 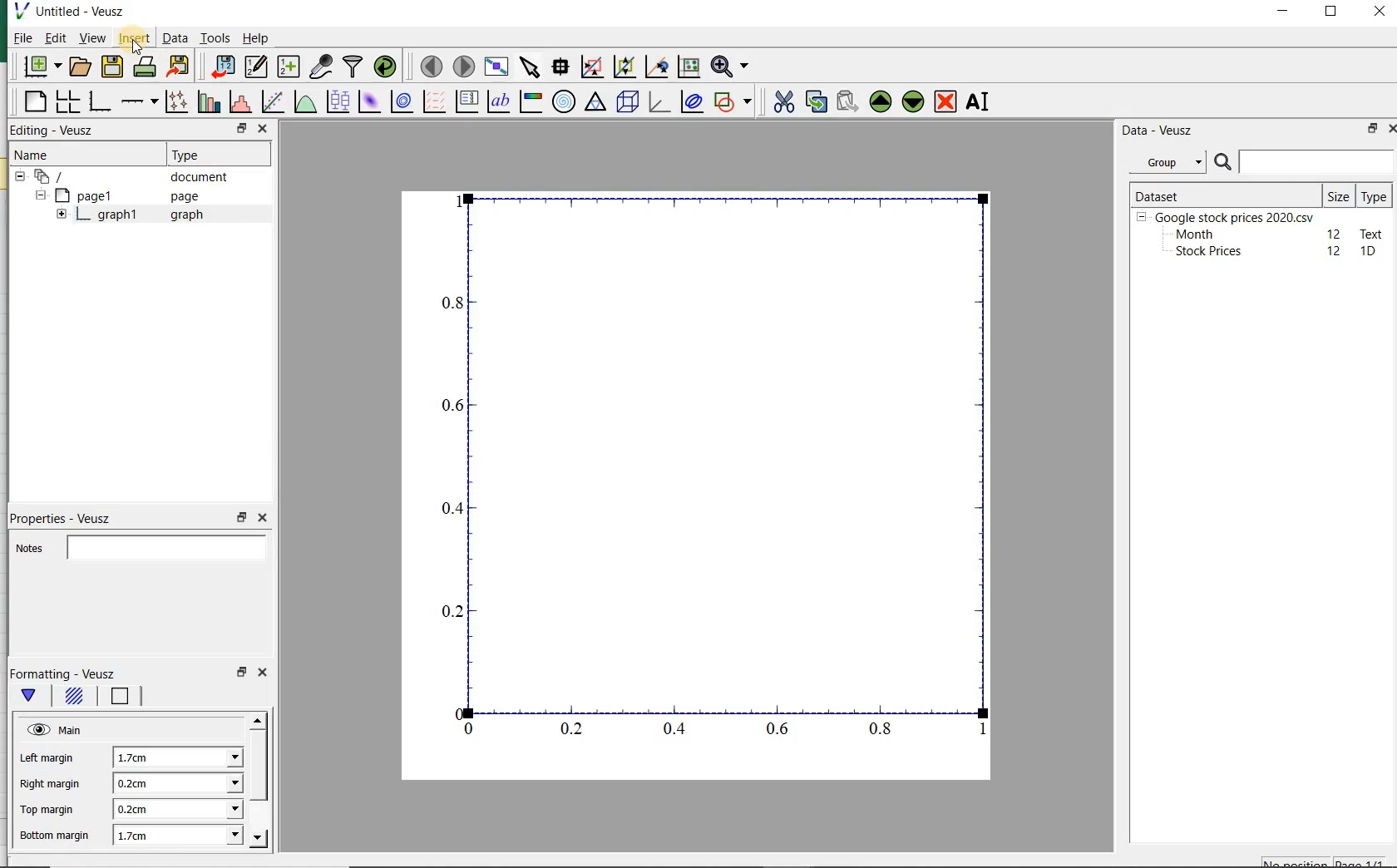 I want to click on 0.2cm, so click(x=175, y=810).